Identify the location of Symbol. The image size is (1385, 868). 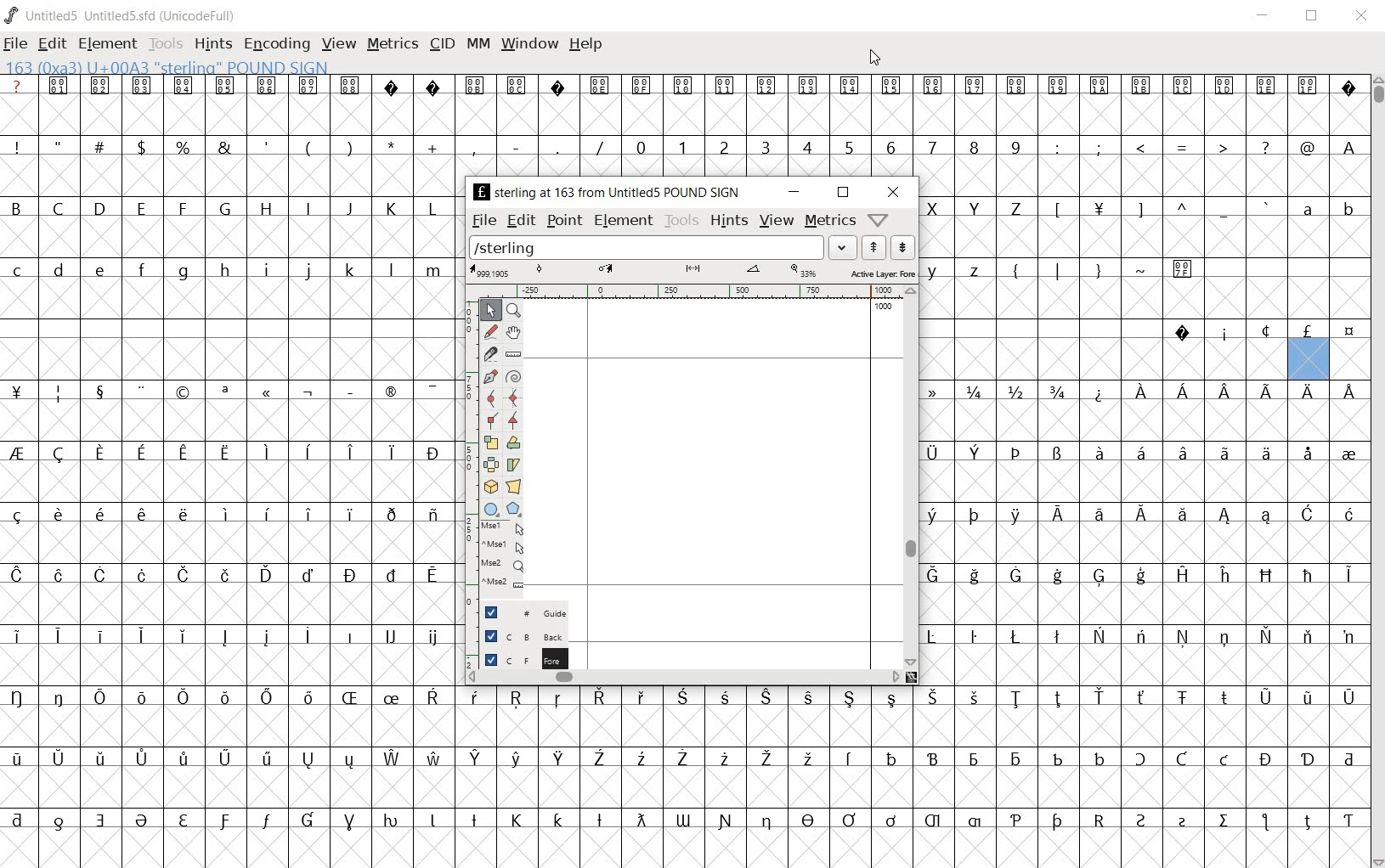
(224, 392).